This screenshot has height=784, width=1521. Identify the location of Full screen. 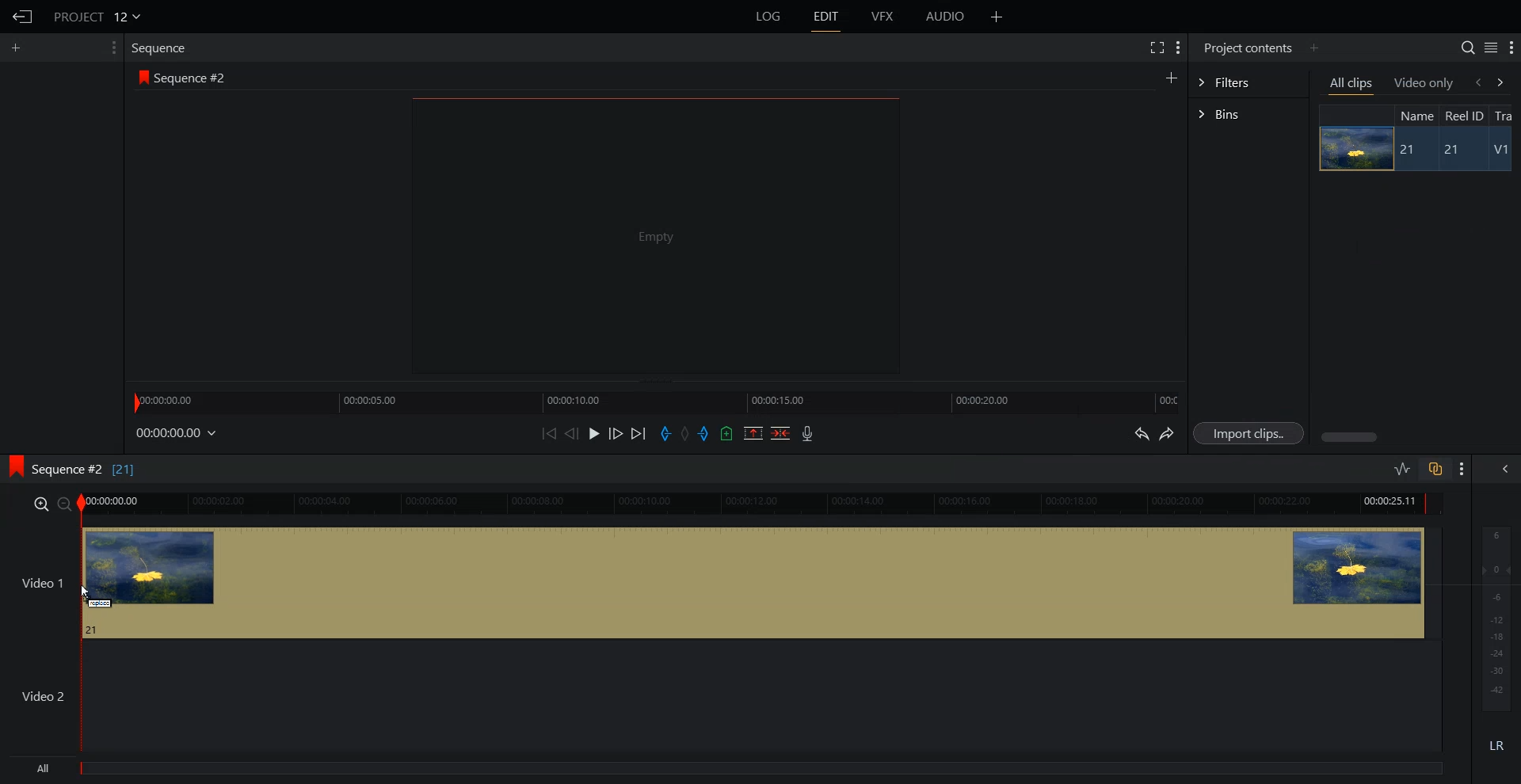
(1156, 47).